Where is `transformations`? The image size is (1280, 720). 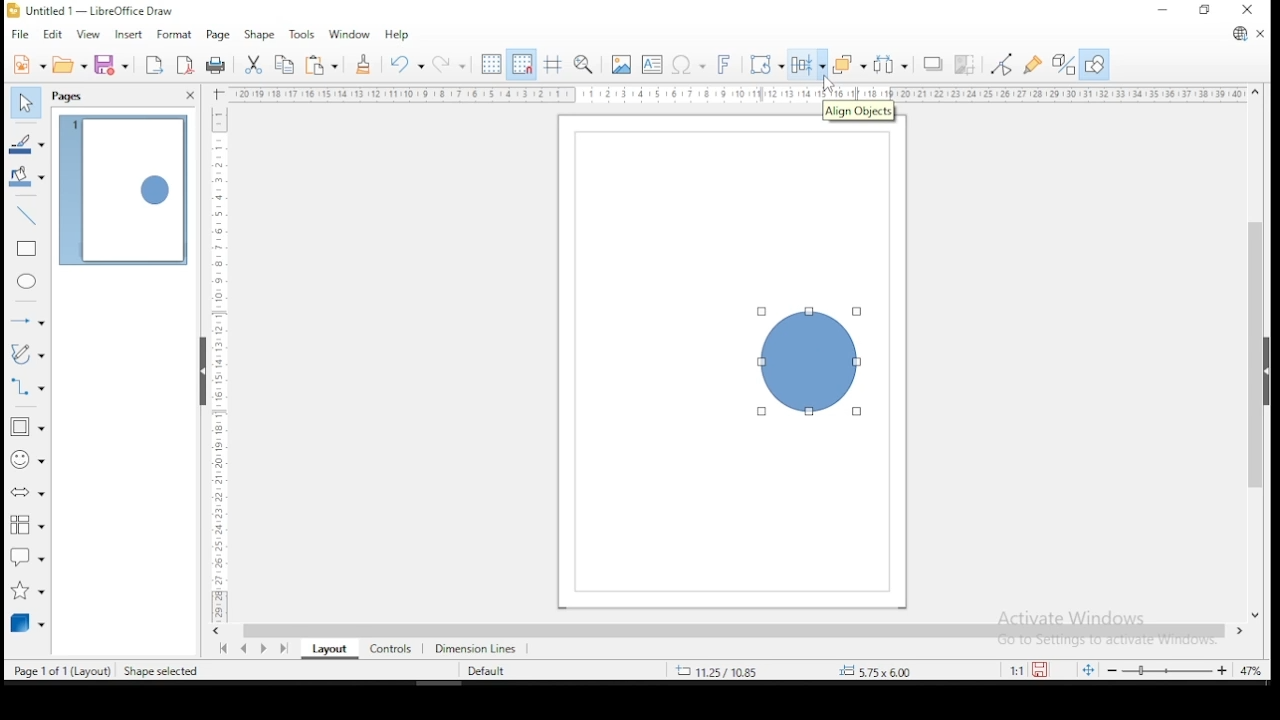 transformations is located at coordinates (764, 62).